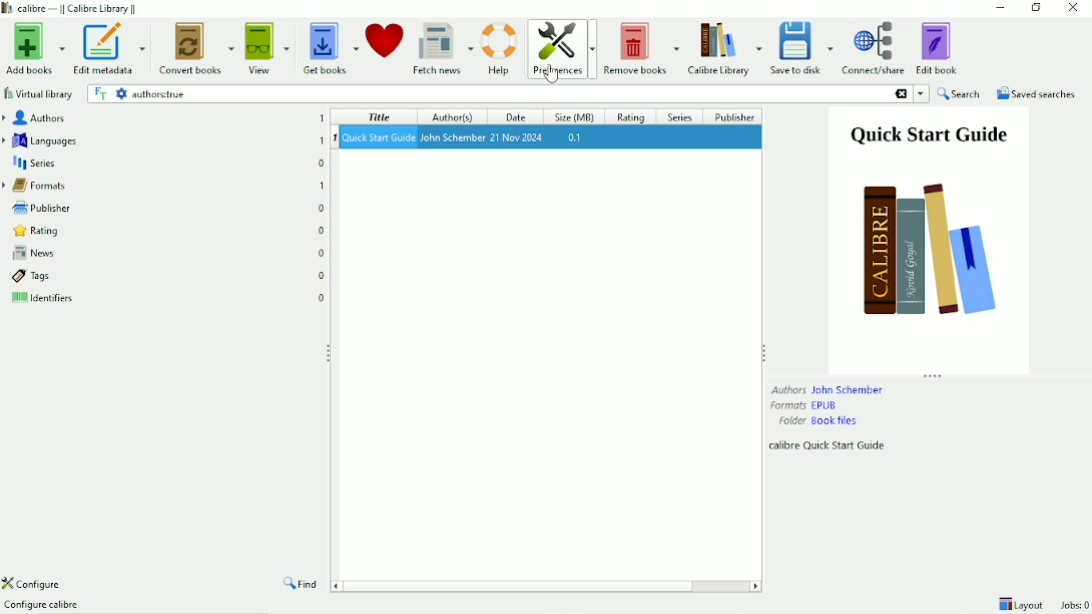 The width and height of the screenshot is (1092, 614). What do you see at coordinates (785, 406) in the screenshot?
I see `Formats` at bounding box center [785, 406].